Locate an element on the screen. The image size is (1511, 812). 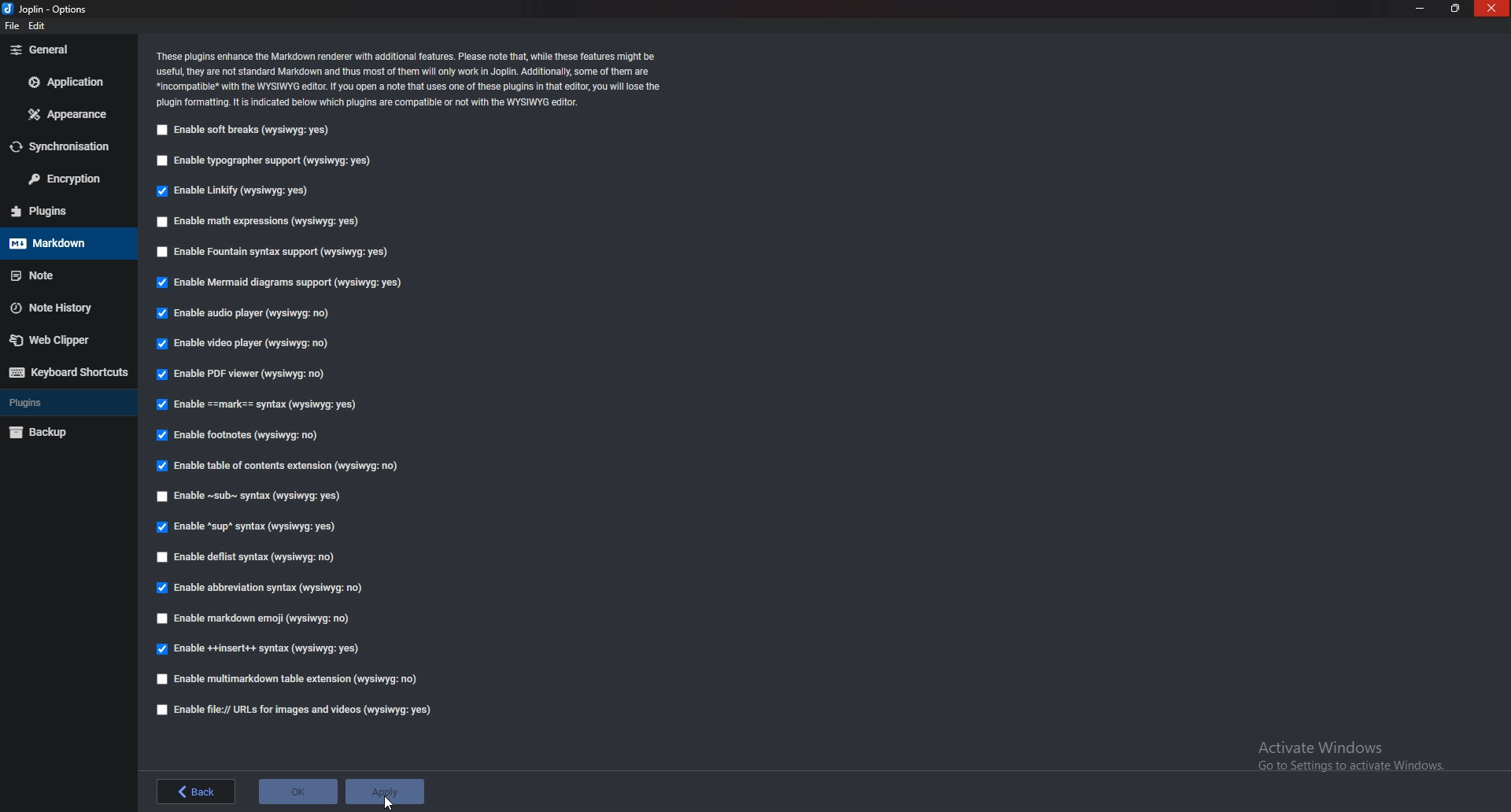
Enable Mark Syntax is located at coordinates (260, 406).